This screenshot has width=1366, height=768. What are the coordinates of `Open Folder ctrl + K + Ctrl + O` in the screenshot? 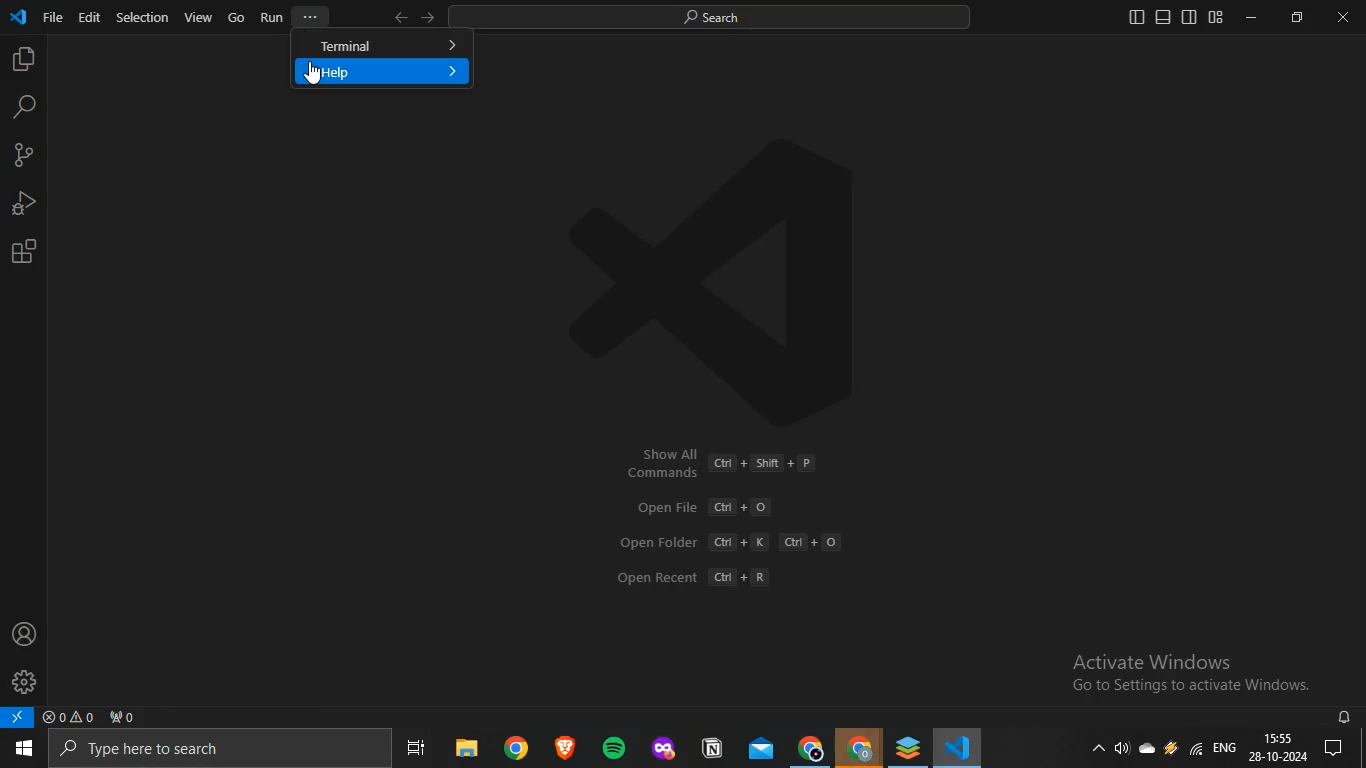 It's located at (740, 543).